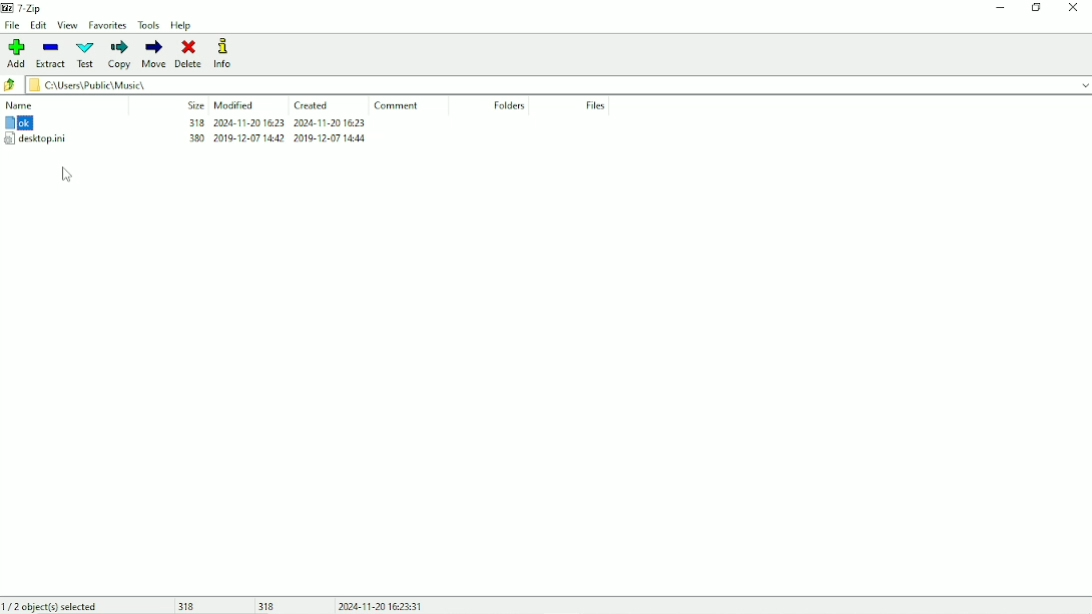  I want to click on Size, so click(196, 105).